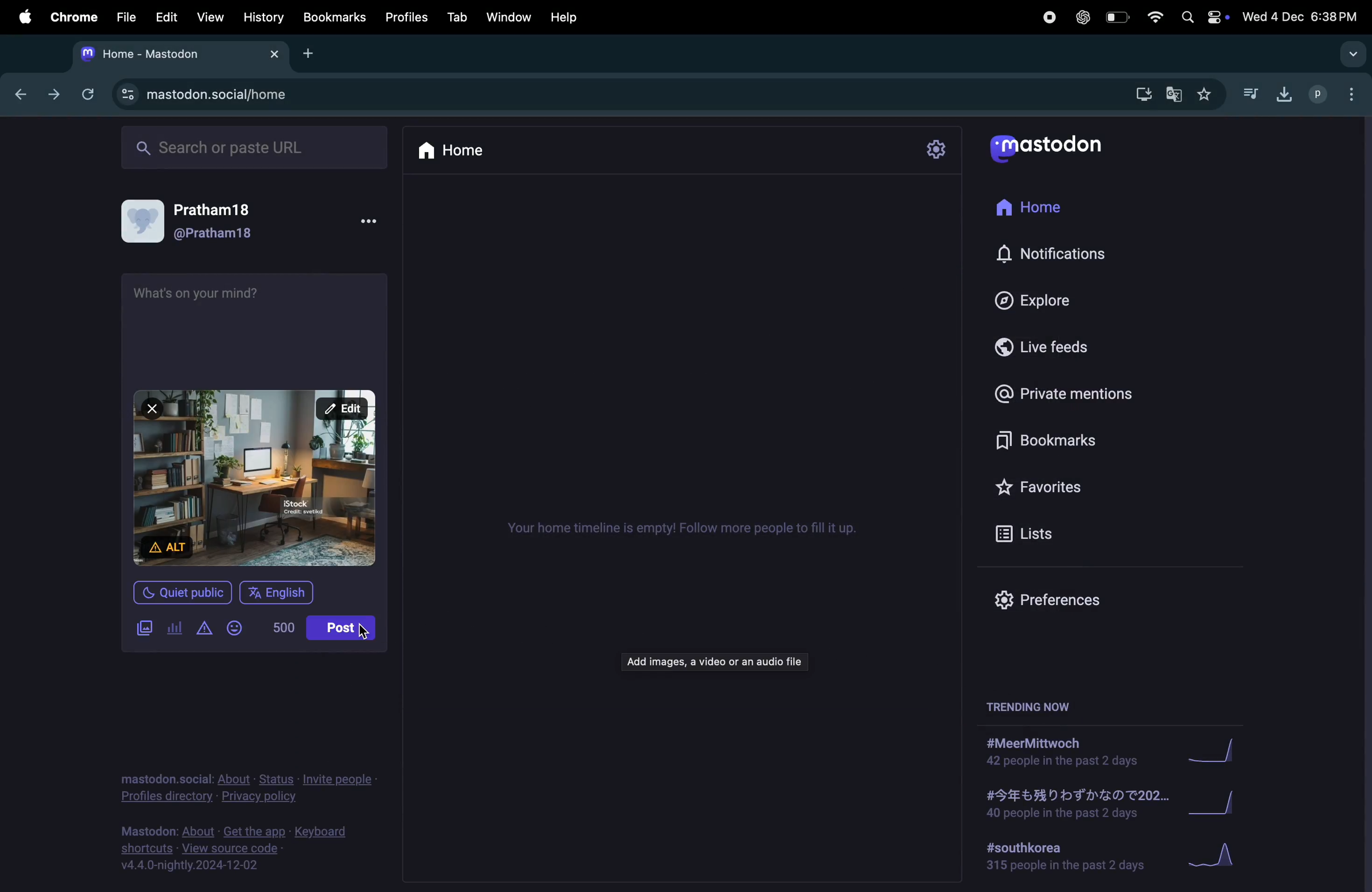  I want to click on window, so click(511, 16).